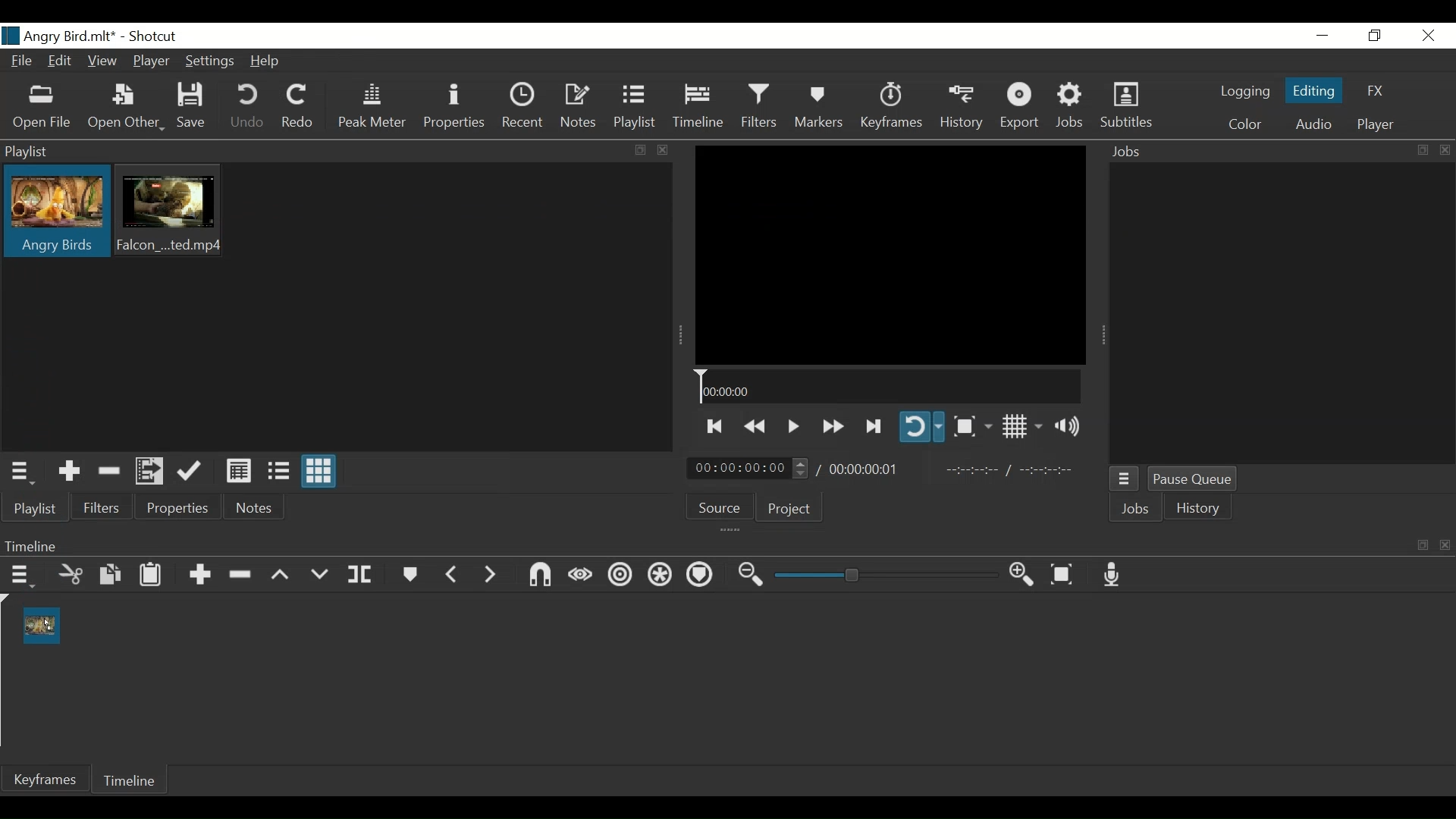 The width and height of the screenshot is (1456, 819). Describe the element at coordinates (56, 213) in the screenshot. I see `Clip` at that location.